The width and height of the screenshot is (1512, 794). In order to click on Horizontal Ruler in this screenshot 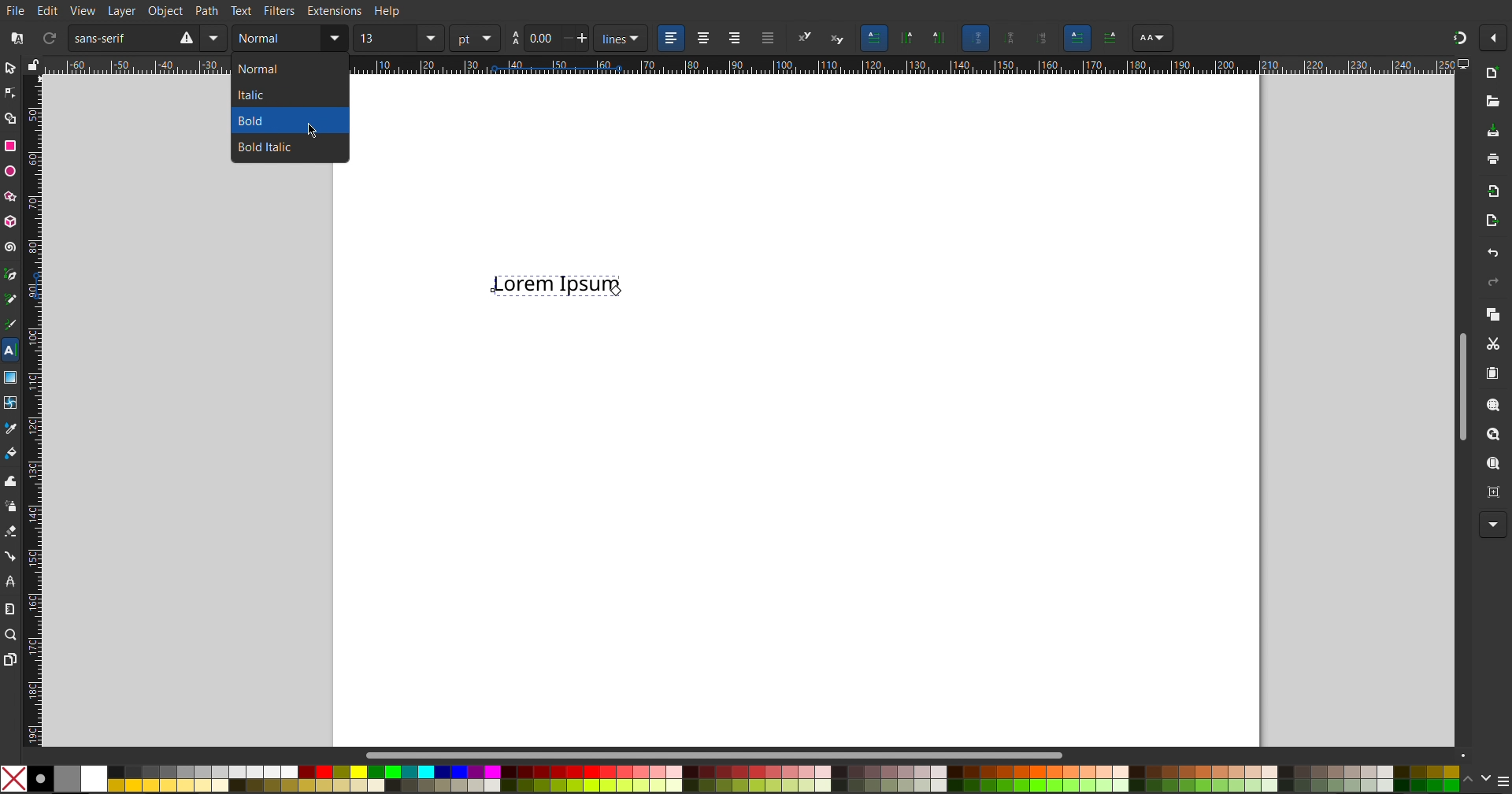, I will do `click(899, 66)`.